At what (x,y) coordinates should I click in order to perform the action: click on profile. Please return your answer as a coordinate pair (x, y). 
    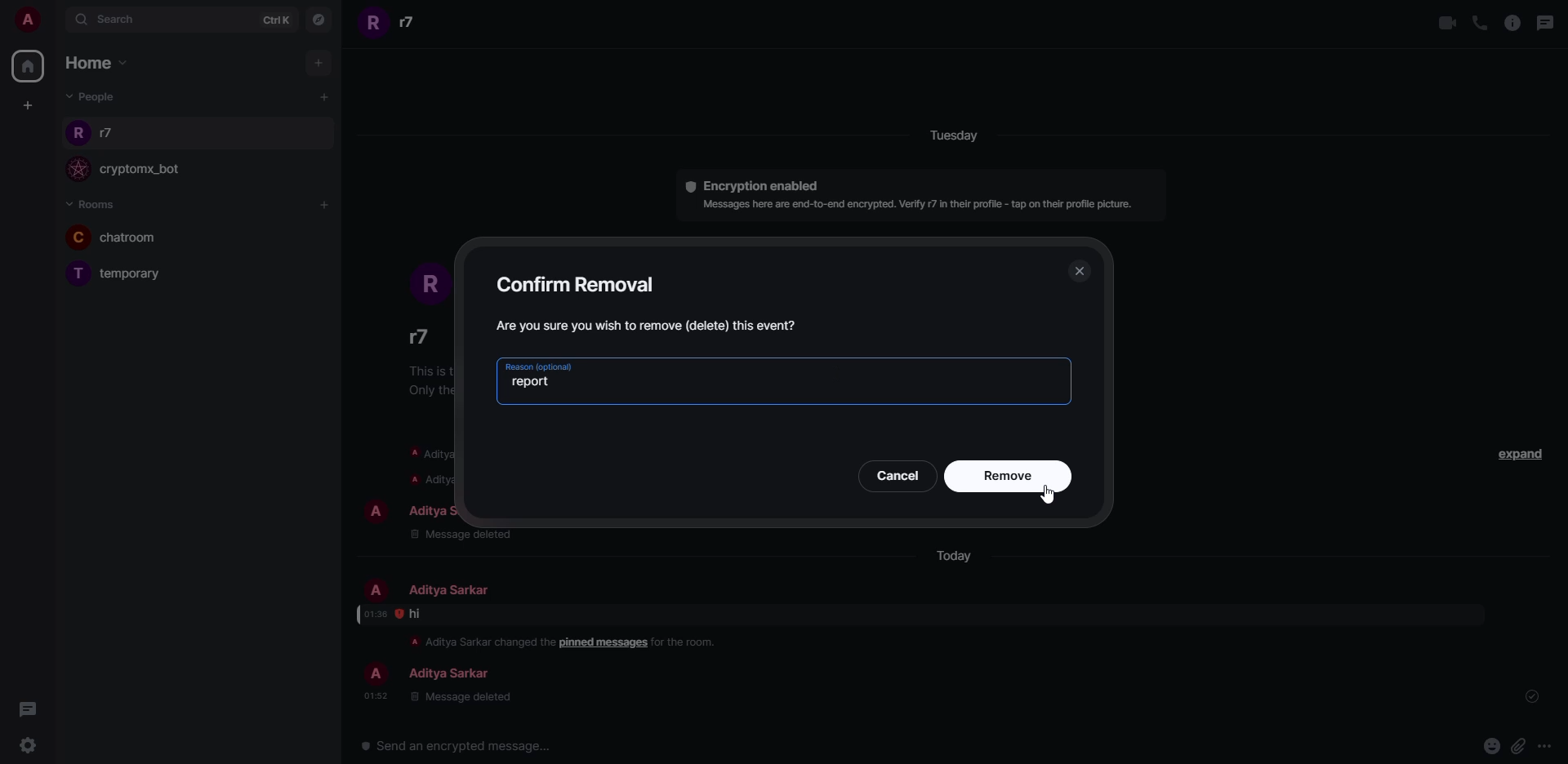
    Looking at the image, I should click on (77, 237).